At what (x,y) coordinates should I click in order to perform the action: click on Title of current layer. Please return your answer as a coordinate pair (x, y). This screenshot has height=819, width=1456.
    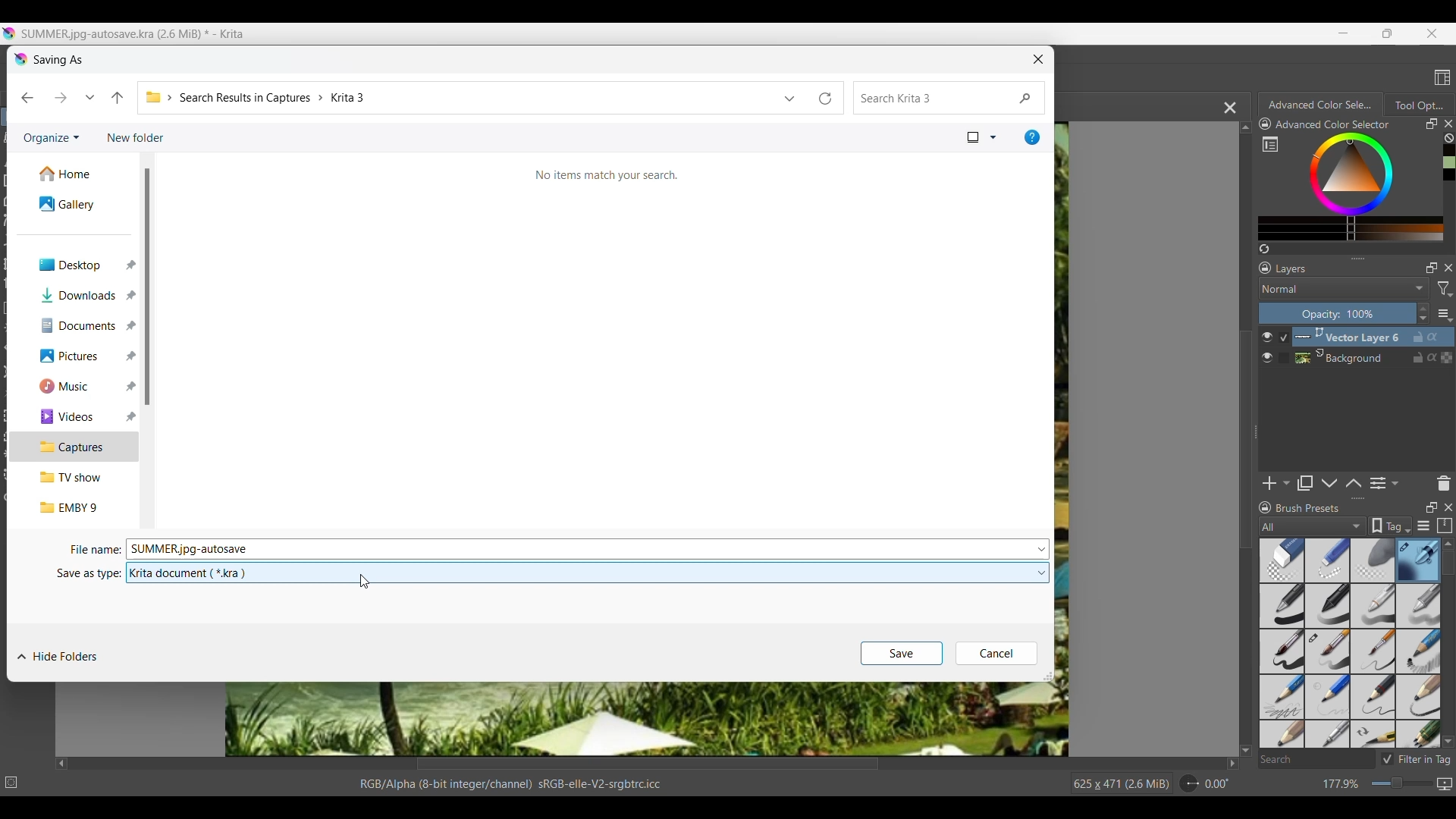
    Looking at the image, I should click on (1291, 268).